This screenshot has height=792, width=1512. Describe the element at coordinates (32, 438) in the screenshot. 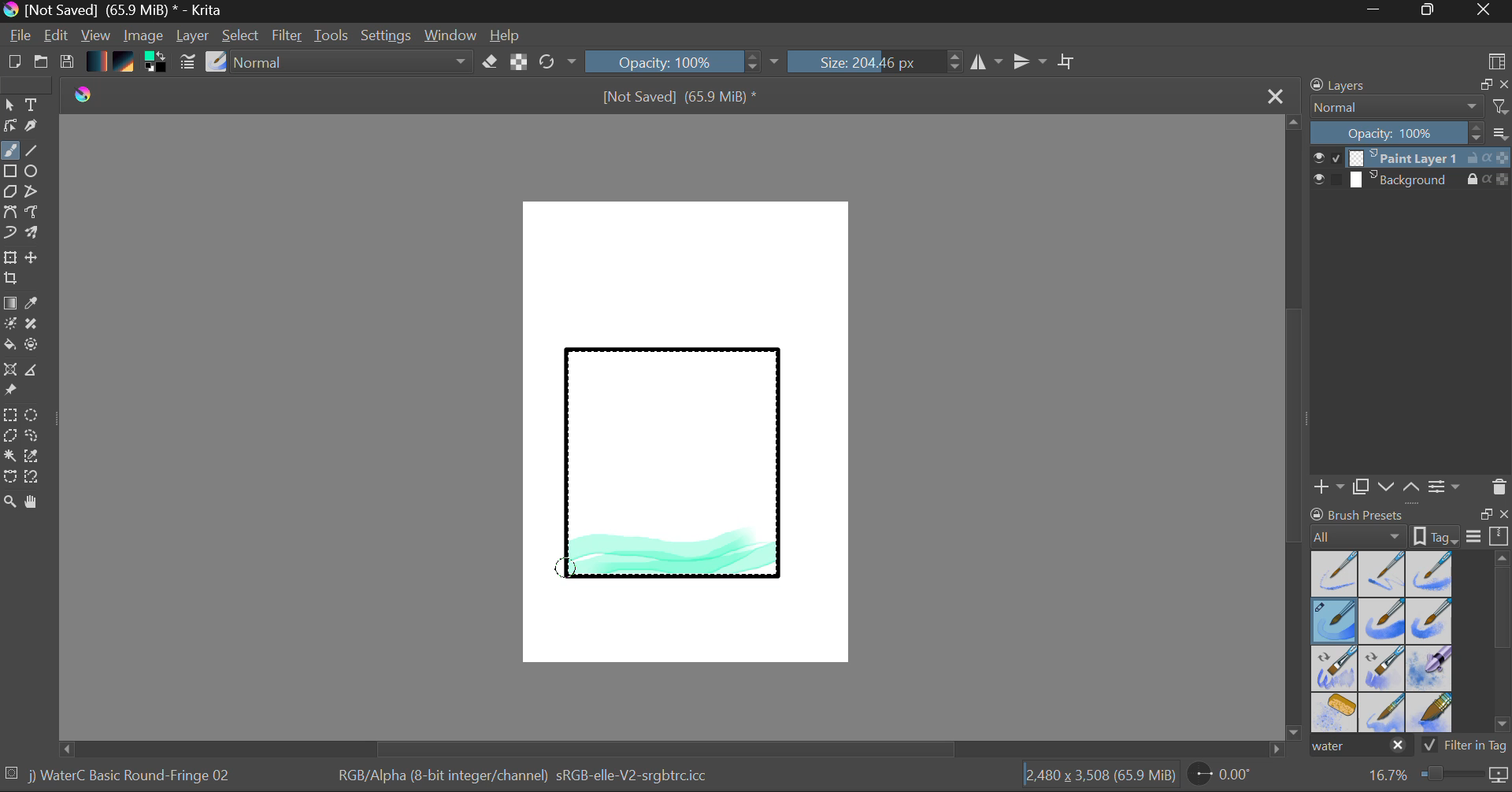

I see `Freehand Selection` at that location.